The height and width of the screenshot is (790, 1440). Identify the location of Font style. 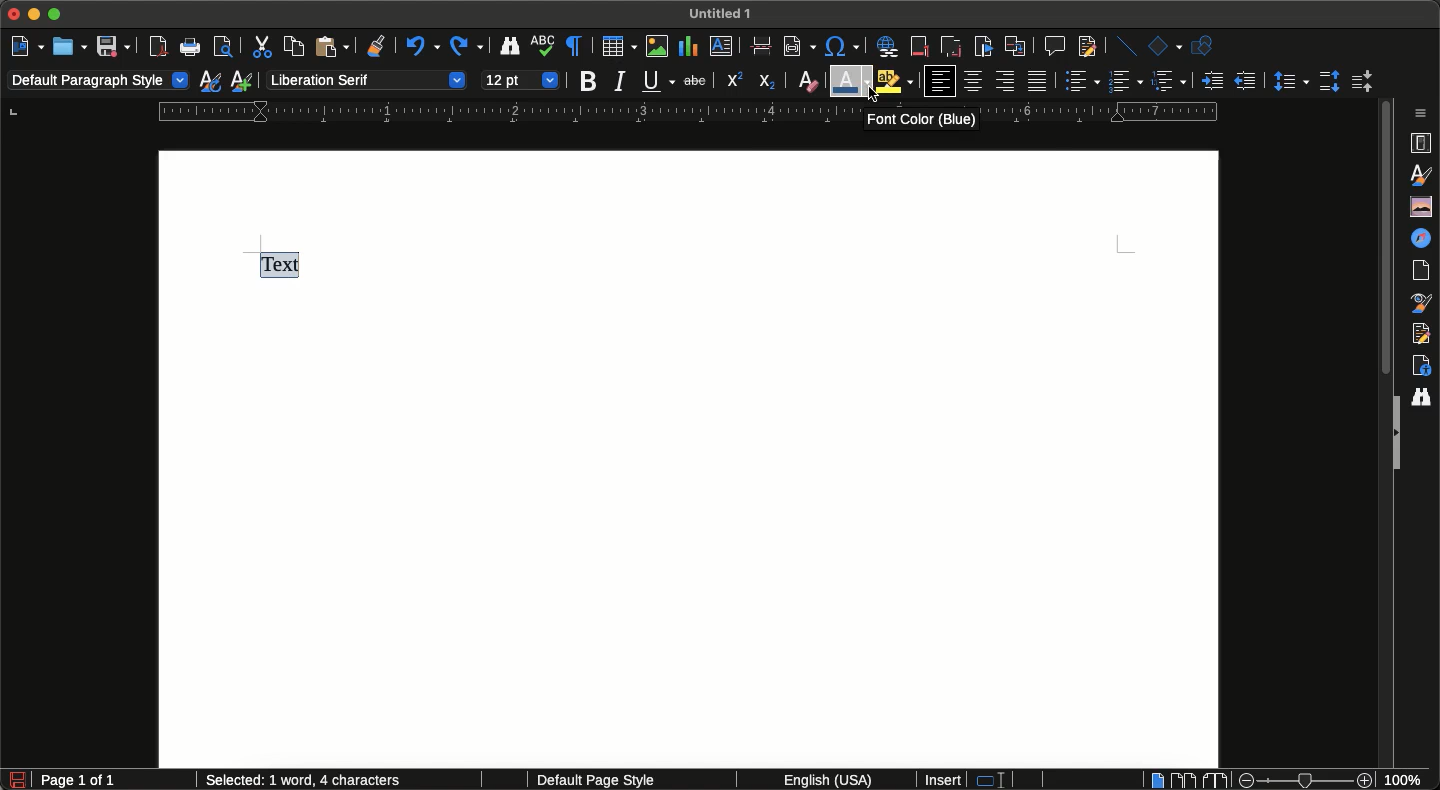
(365, 79).